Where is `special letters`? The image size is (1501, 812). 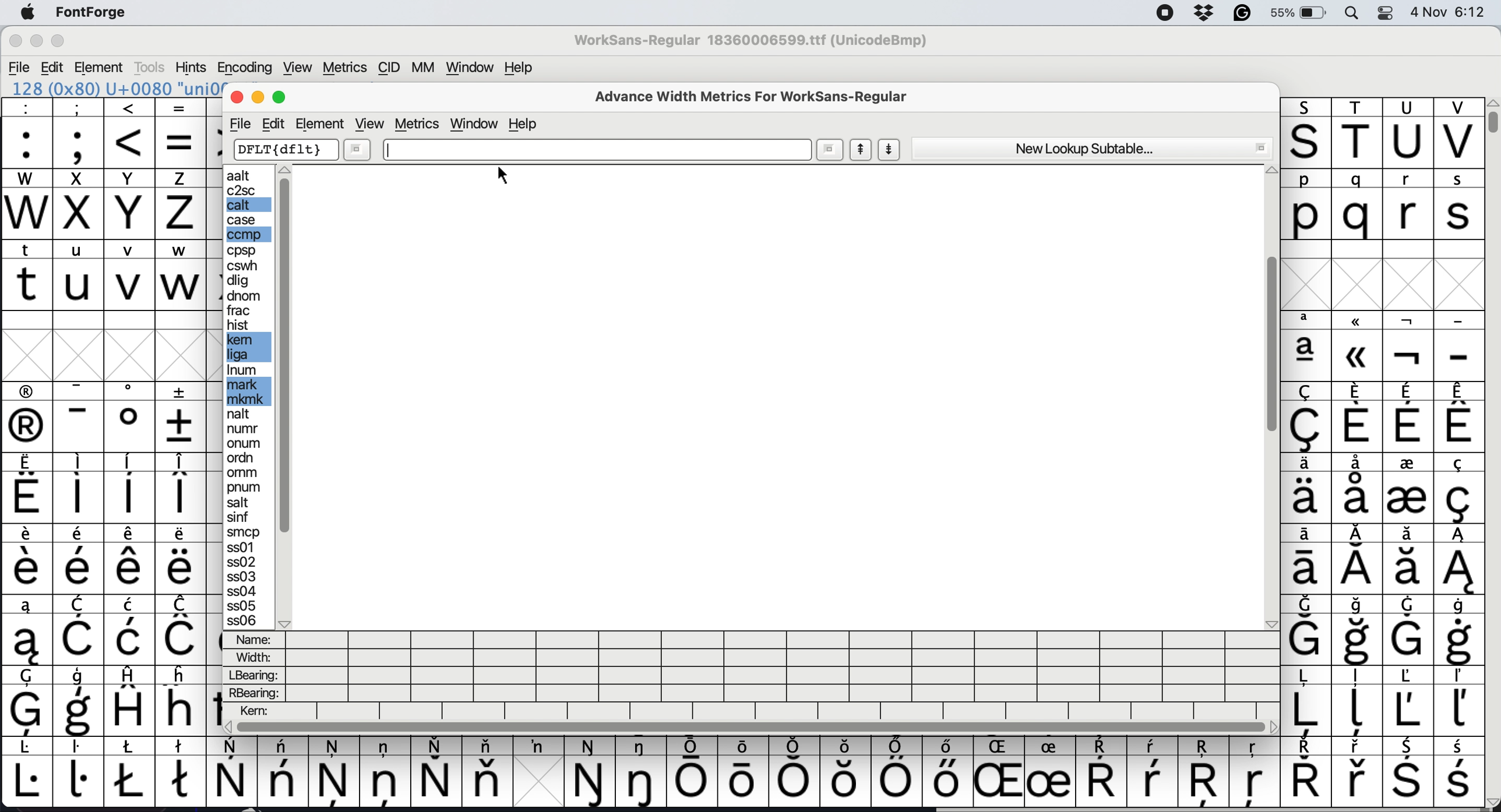
special letters is located at coordinates (742, 781).